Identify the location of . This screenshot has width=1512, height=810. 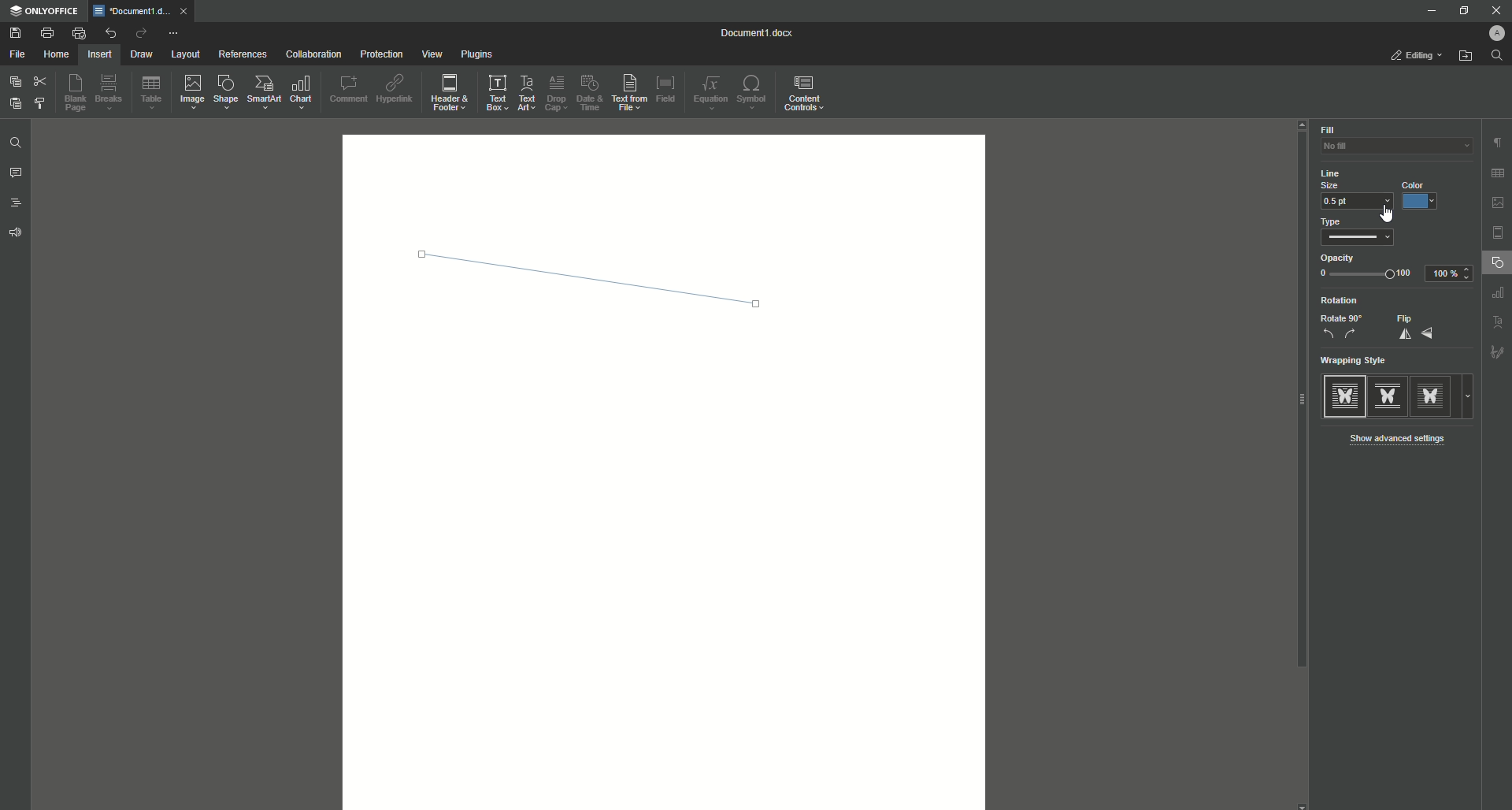
(48, 31).